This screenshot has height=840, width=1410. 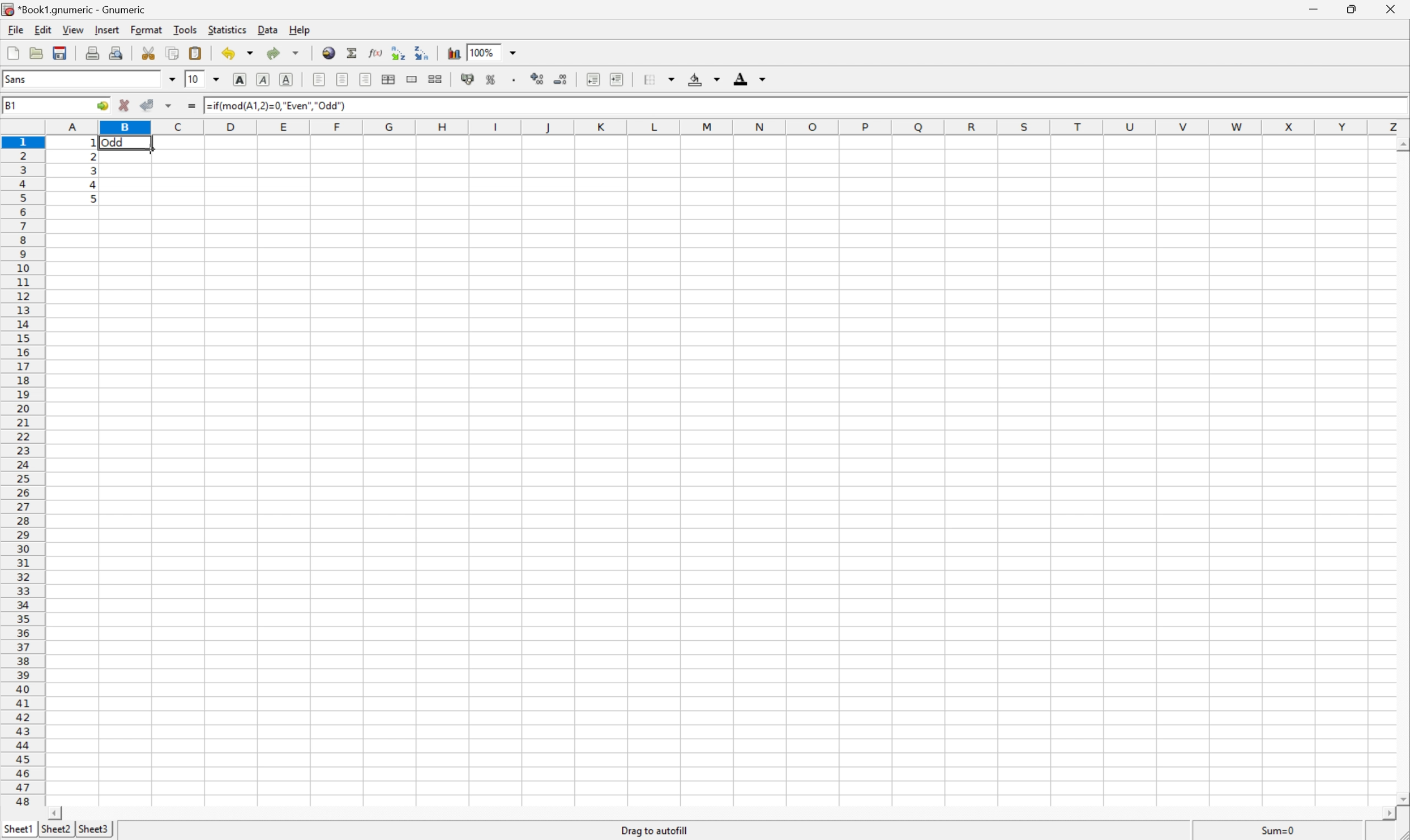 I want to click on Data, so click(x=269, y=29).